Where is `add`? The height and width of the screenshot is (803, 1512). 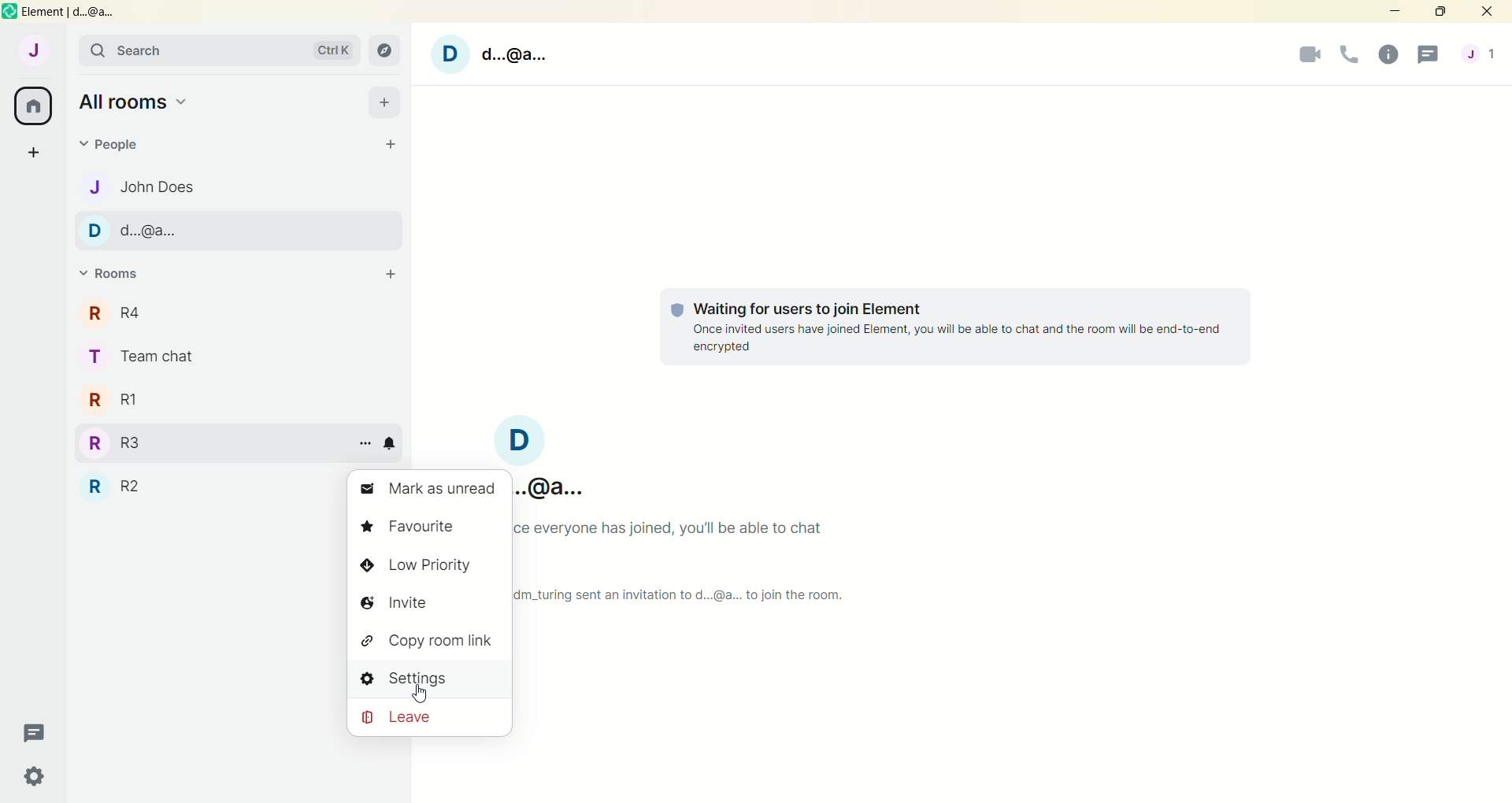
add is located at coordinates (387, 276).